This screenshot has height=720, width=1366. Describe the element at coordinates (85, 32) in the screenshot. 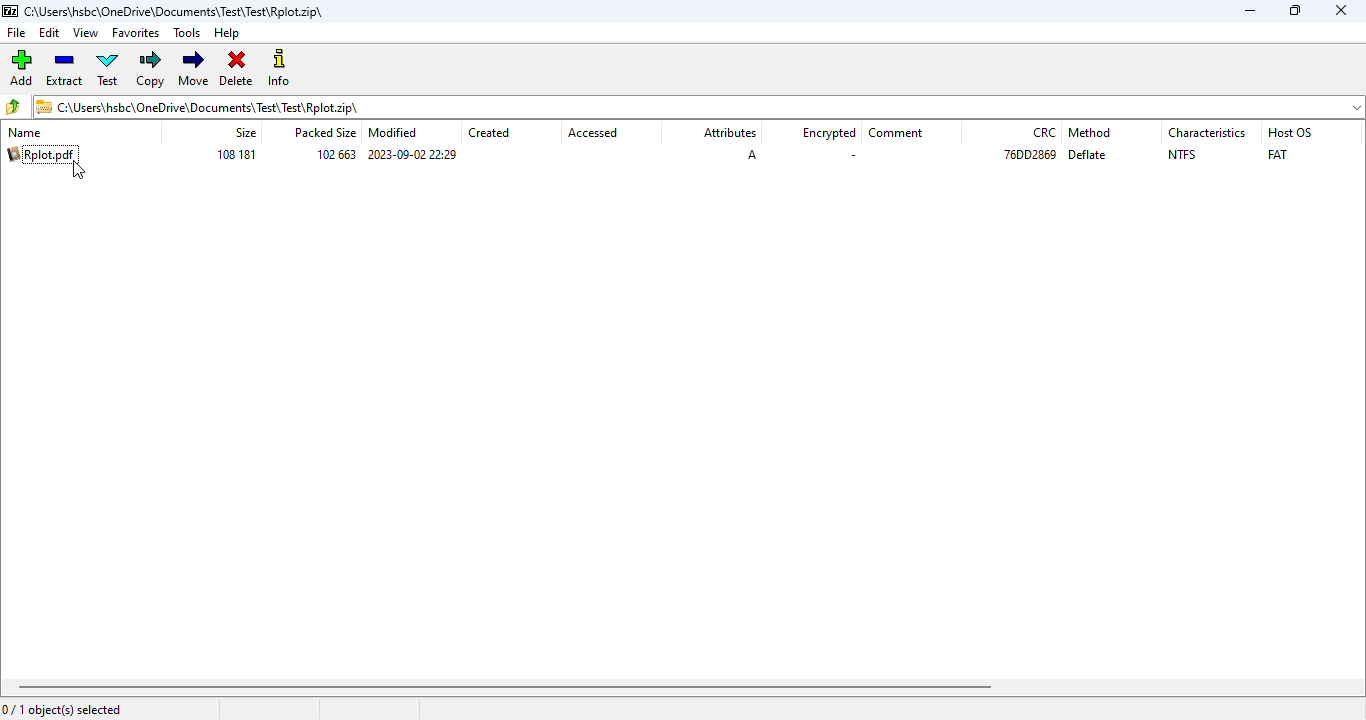

I see `view` at that location.